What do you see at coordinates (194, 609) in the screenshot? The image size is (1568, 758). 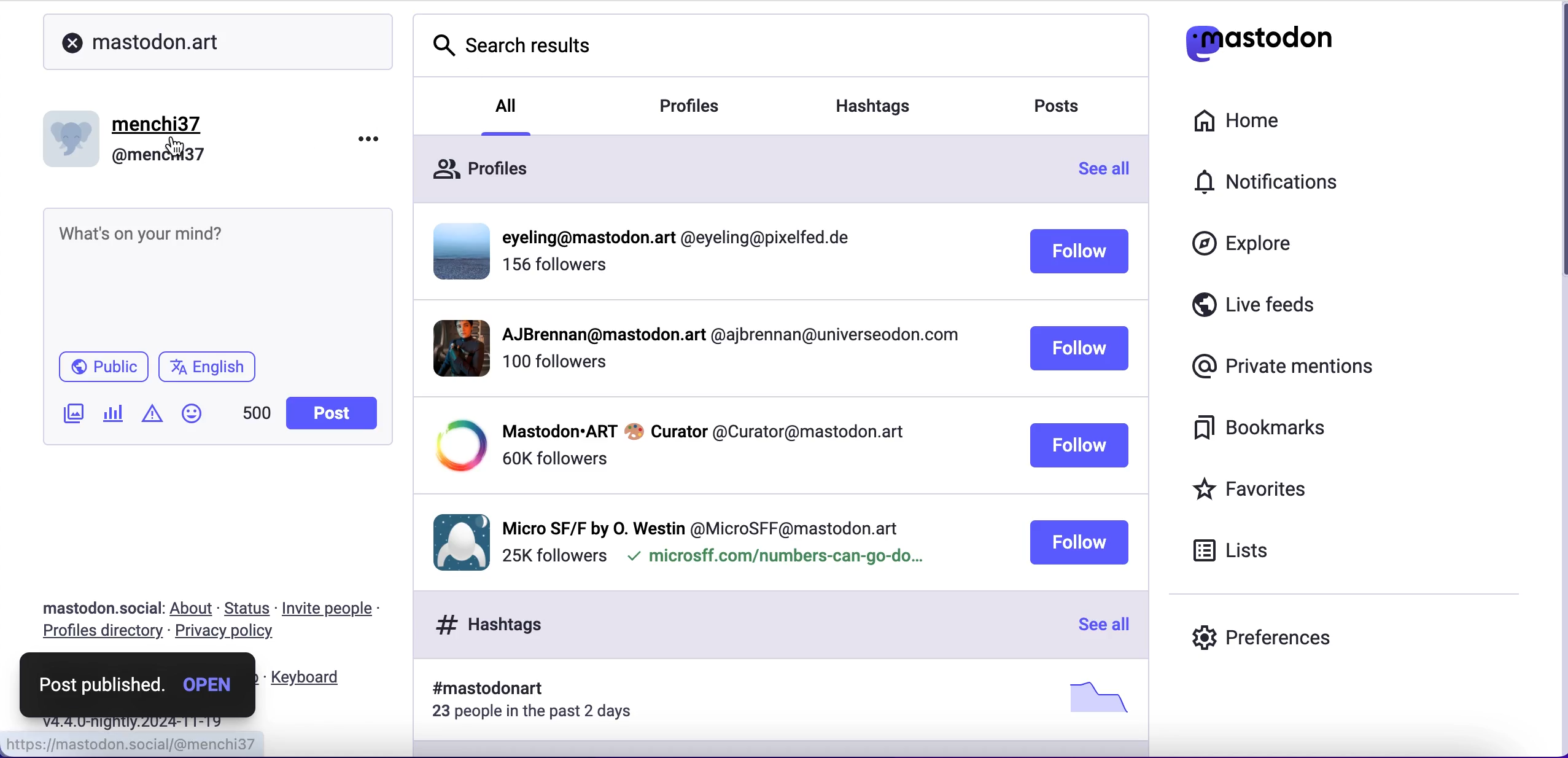 I see `about` at bounding box center [194, 609].